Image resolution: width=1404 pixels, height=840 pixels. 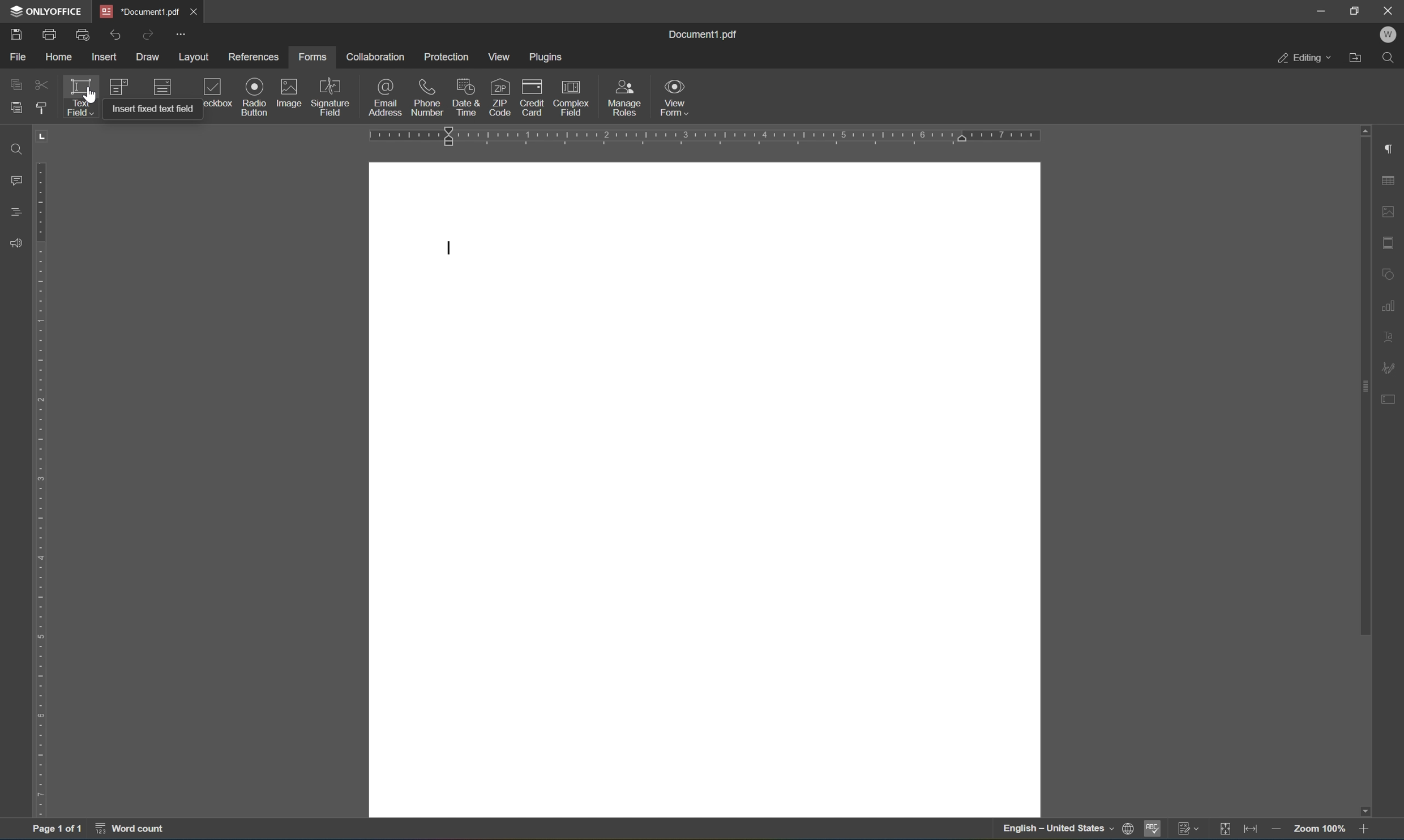 What do you see at coordinates (195, 57) in the screenshot?
I see `layout` at bounding box center [195, 57].